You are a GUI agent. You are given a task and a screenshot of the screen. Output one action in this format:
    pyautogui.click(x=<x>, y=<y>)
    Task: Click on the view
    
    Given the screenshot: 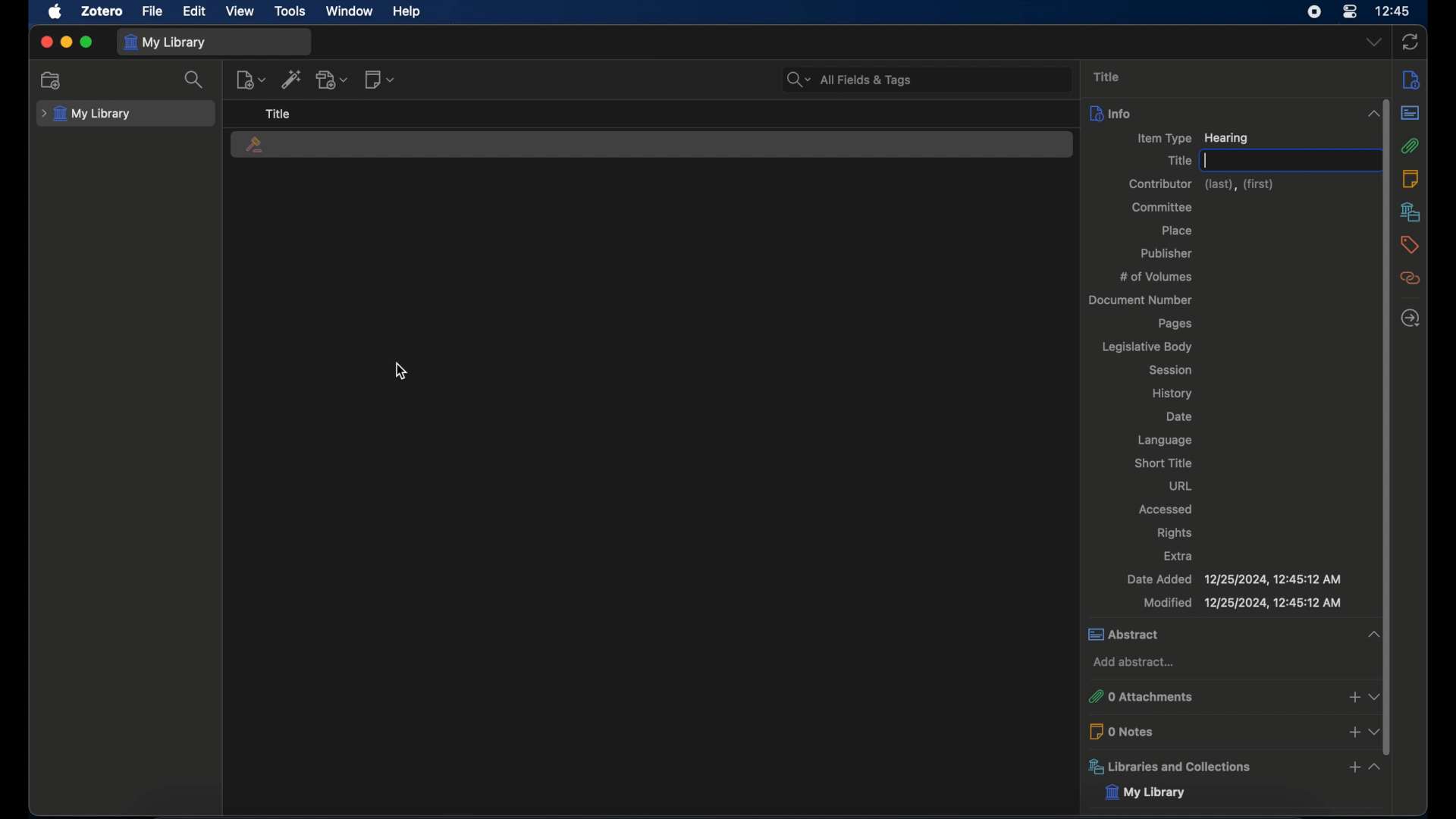 What is the action you would take?
    pyautogui.click(x=240, y=11)
    